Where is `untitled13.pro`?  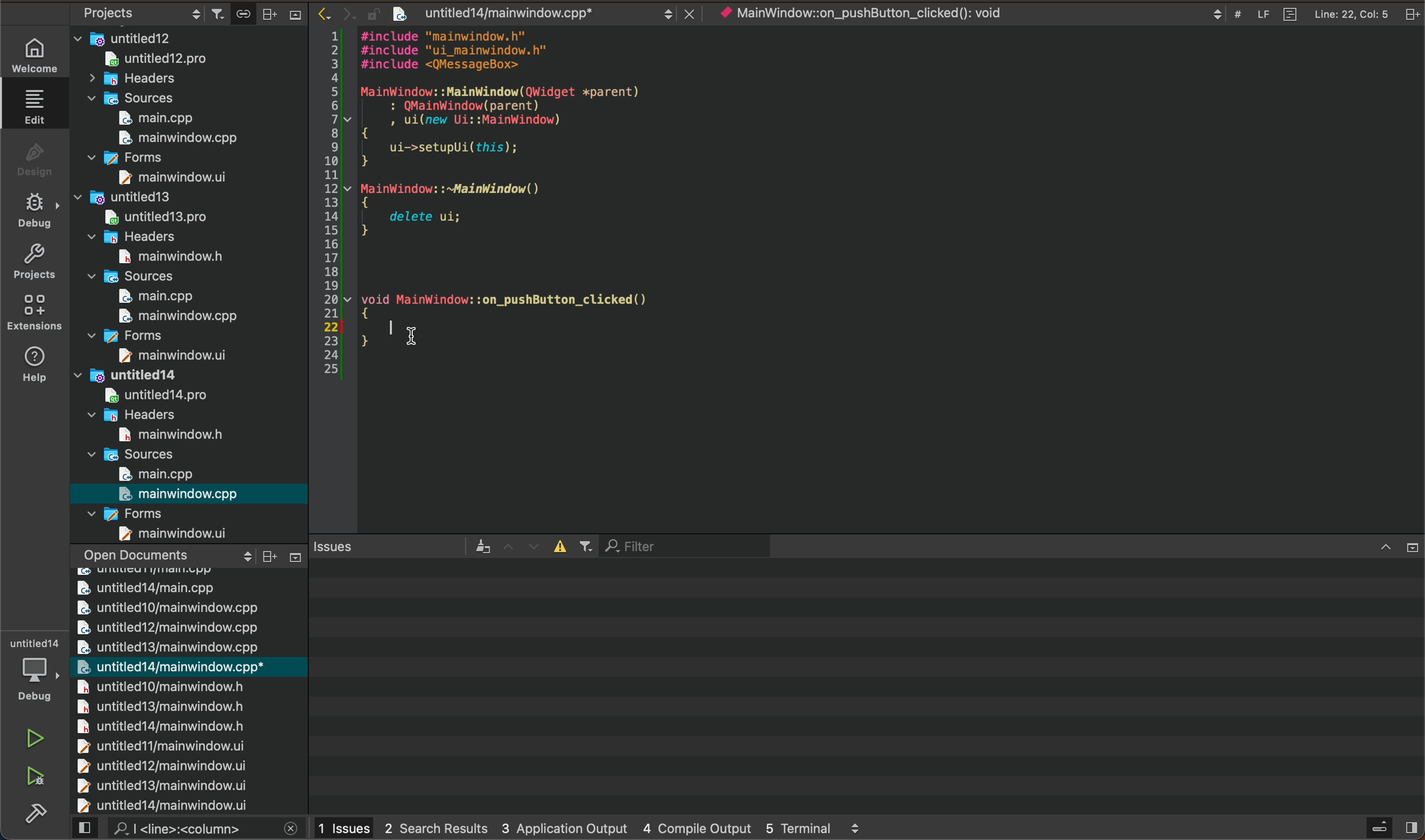
untitled13.pro is located at coordinates (153, 217).